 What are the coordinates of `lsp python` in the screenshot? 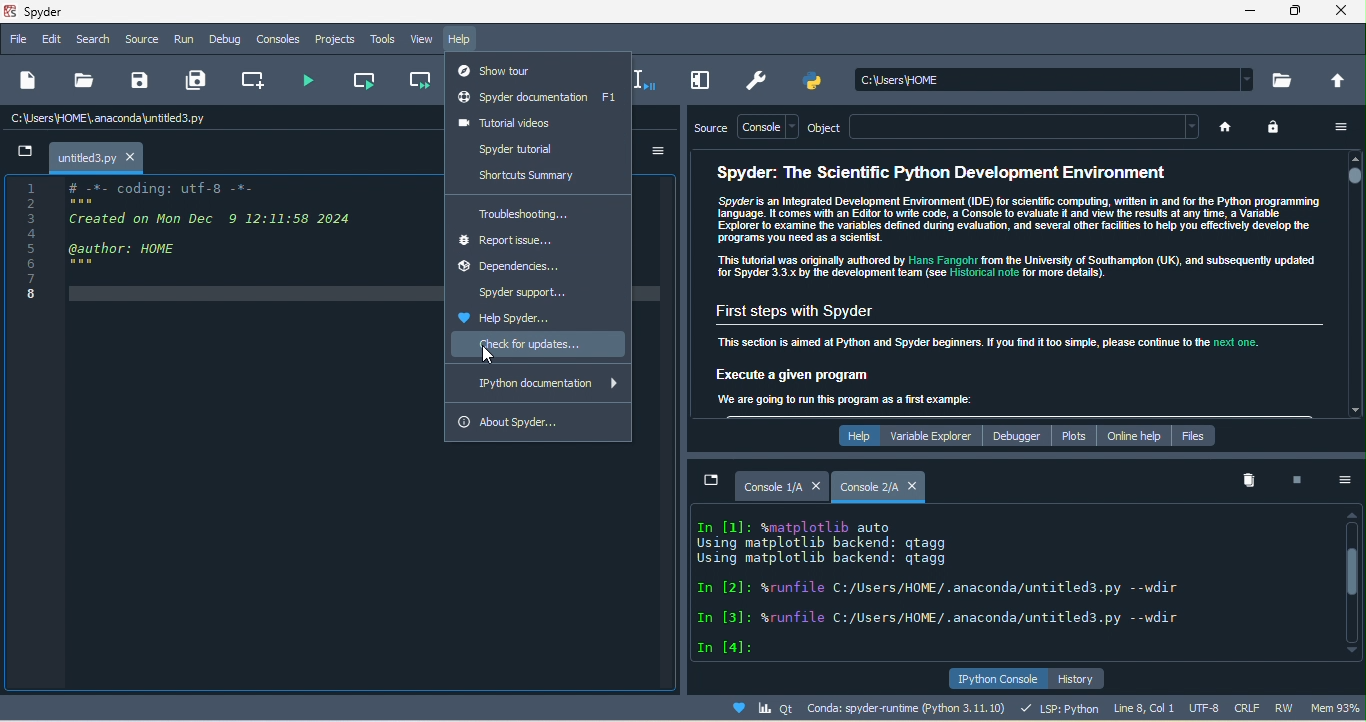 It's located at (1057, 708).